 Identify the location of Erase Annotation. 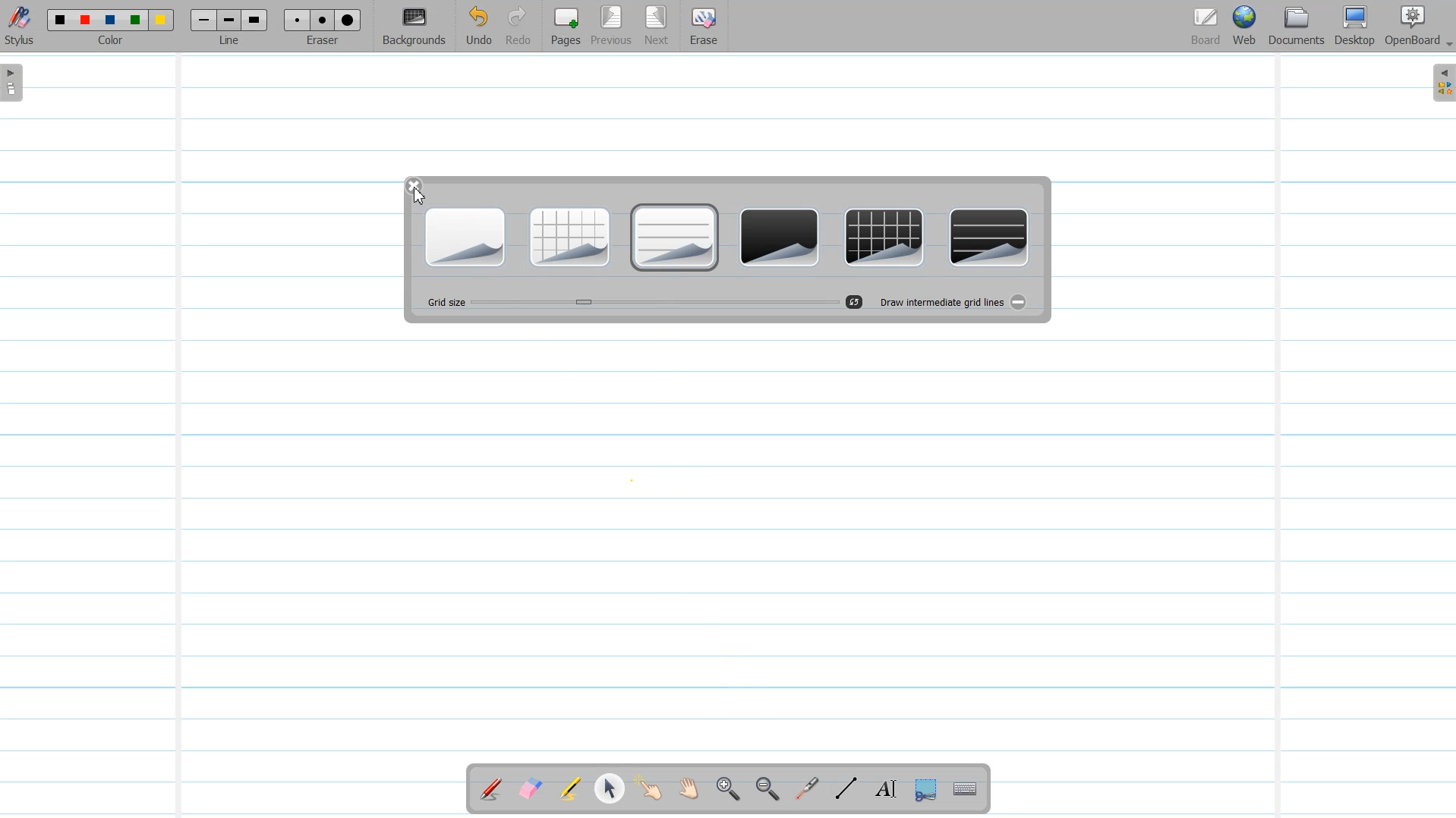
(532, 790).